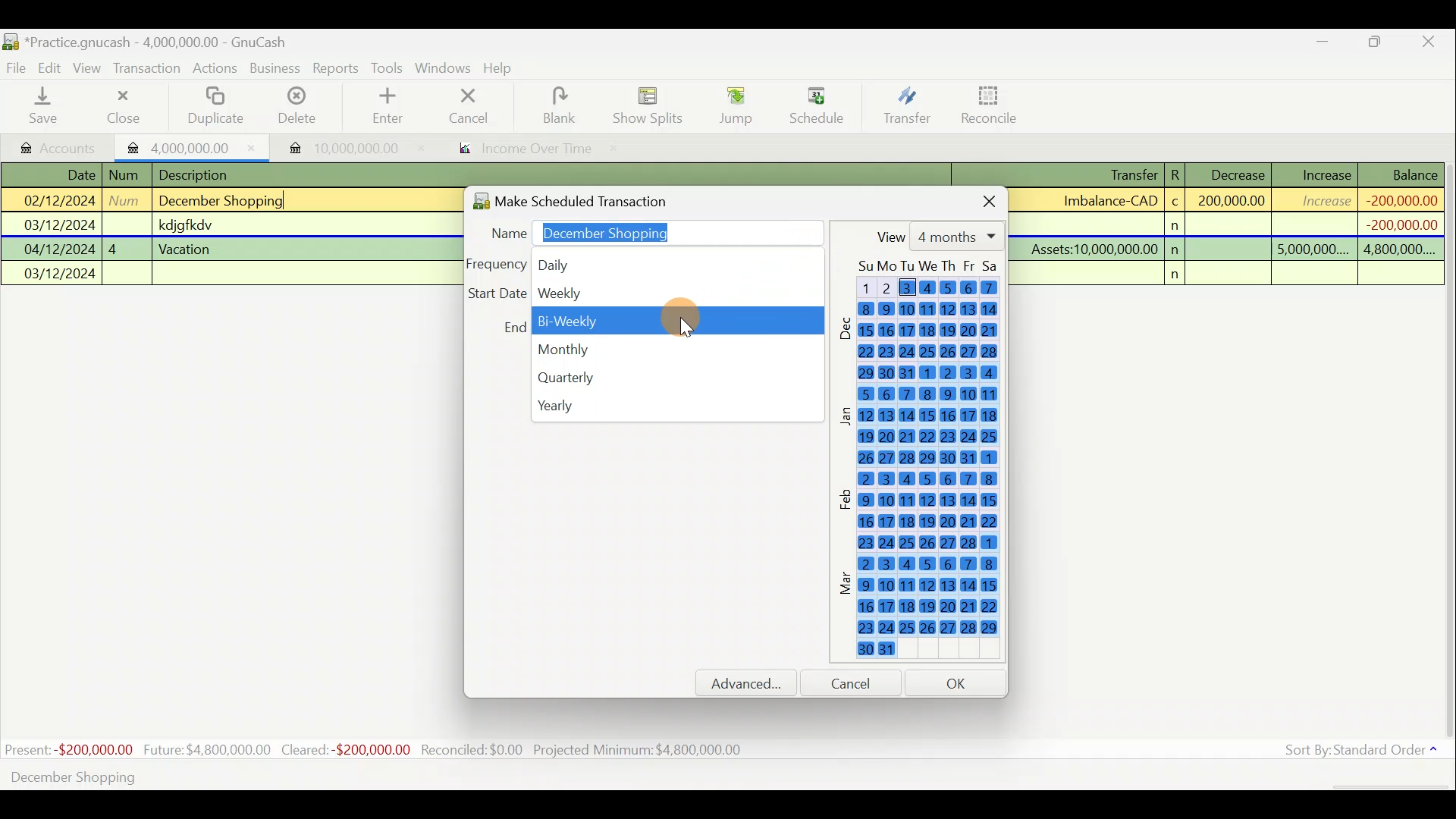  I want to click on Close, so click(122, 106).